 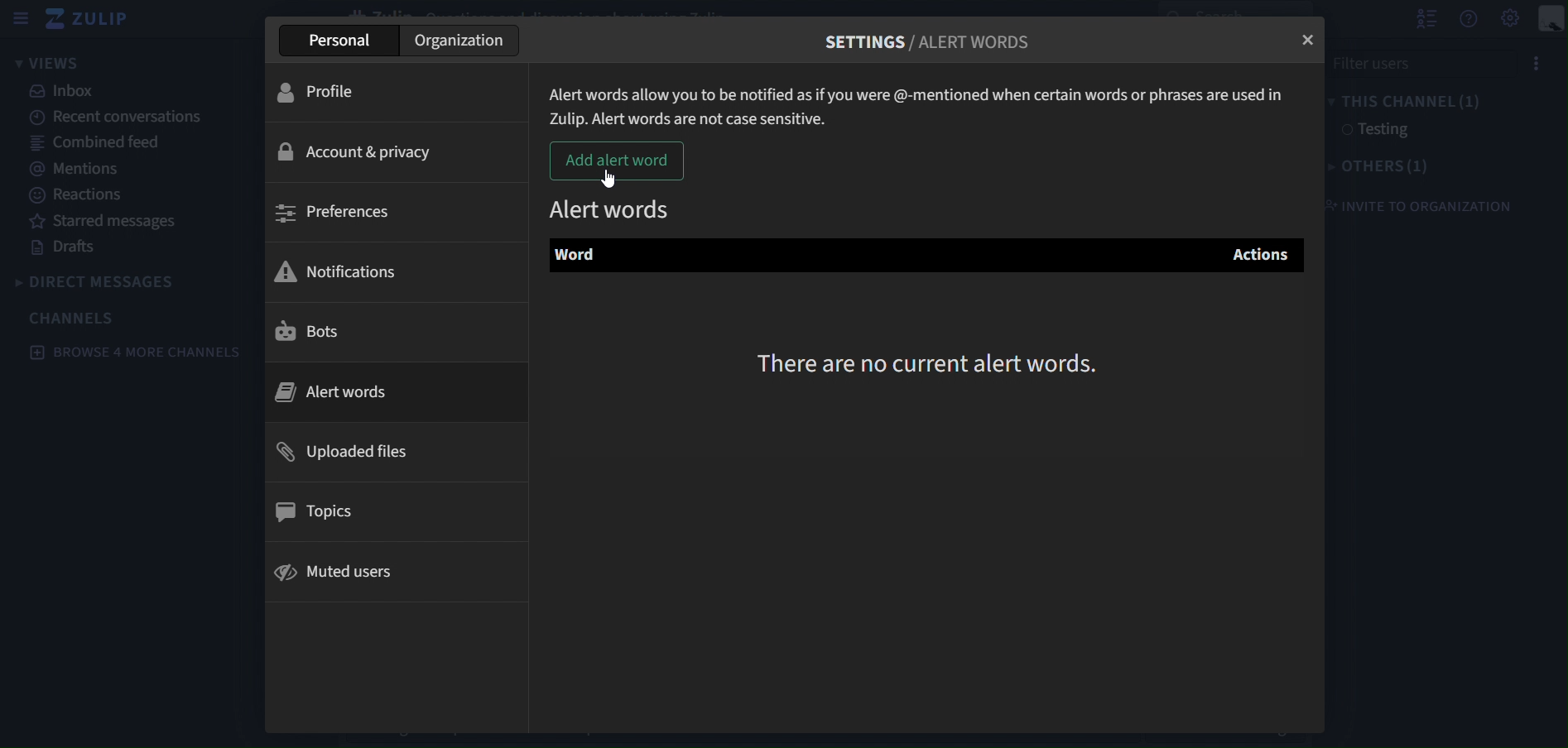 What do you see at coordinates (71, 250) in the screenshot?
I see `drafts` at bounding box center [71, 250].